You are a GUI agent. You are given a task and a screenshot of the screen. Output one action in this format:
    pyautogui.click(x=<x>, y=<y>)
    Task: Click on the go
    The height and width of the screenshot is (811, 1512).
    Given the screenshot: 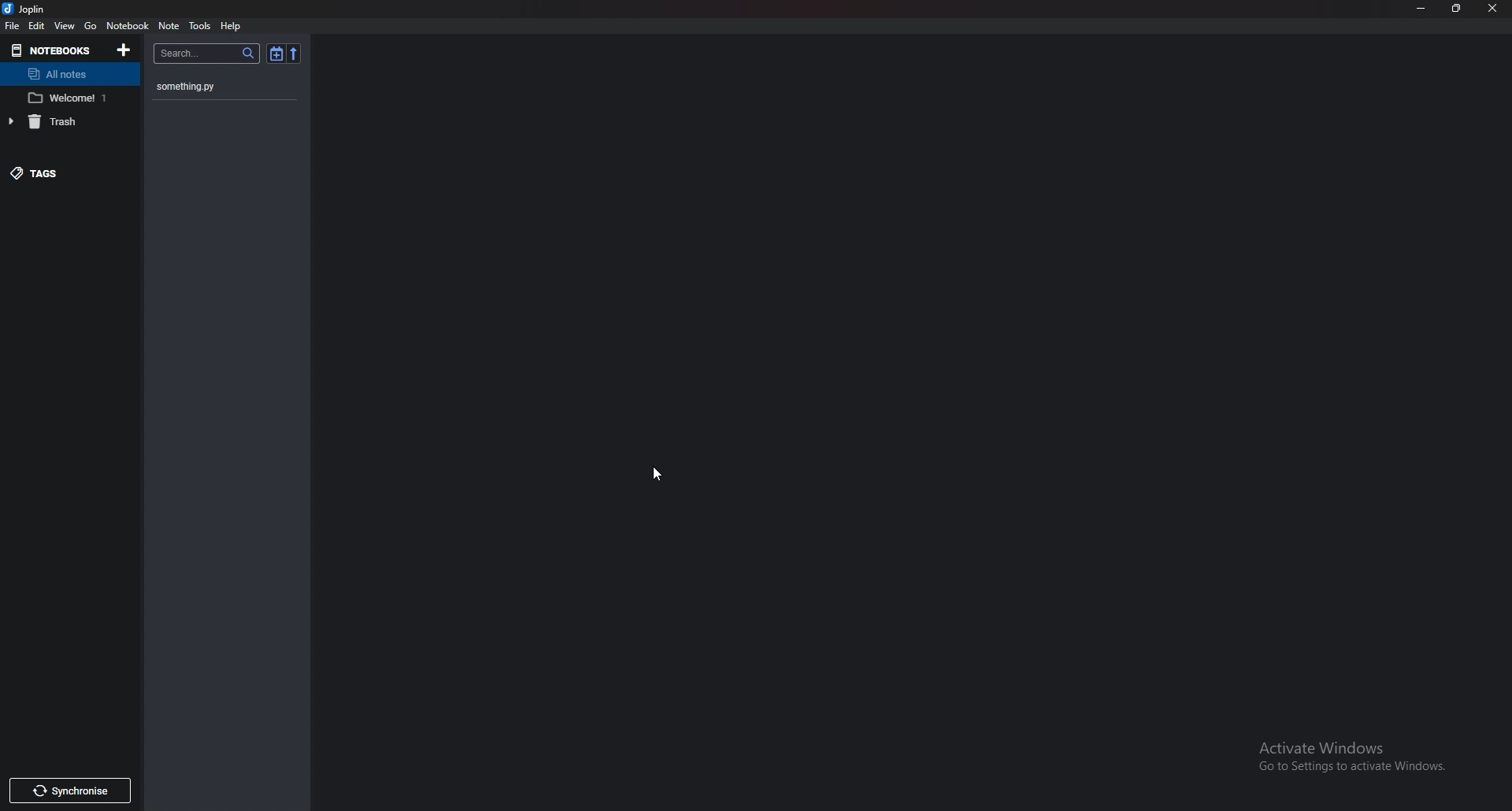 What is the action you would take?
    pyautogui.click(x=90, y=26)
    